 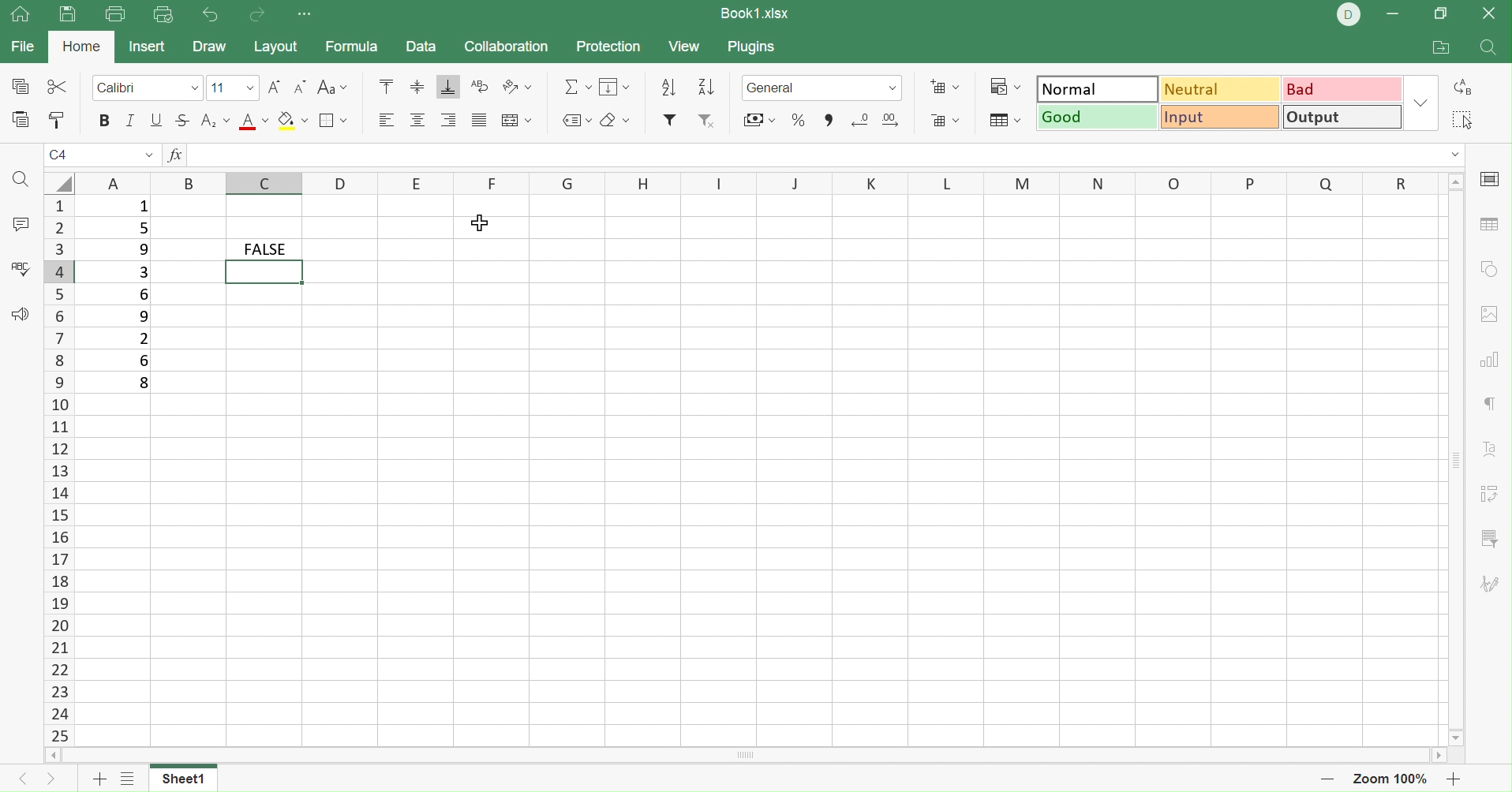 I want to click on Sort descending, so click(x=672, y=88).